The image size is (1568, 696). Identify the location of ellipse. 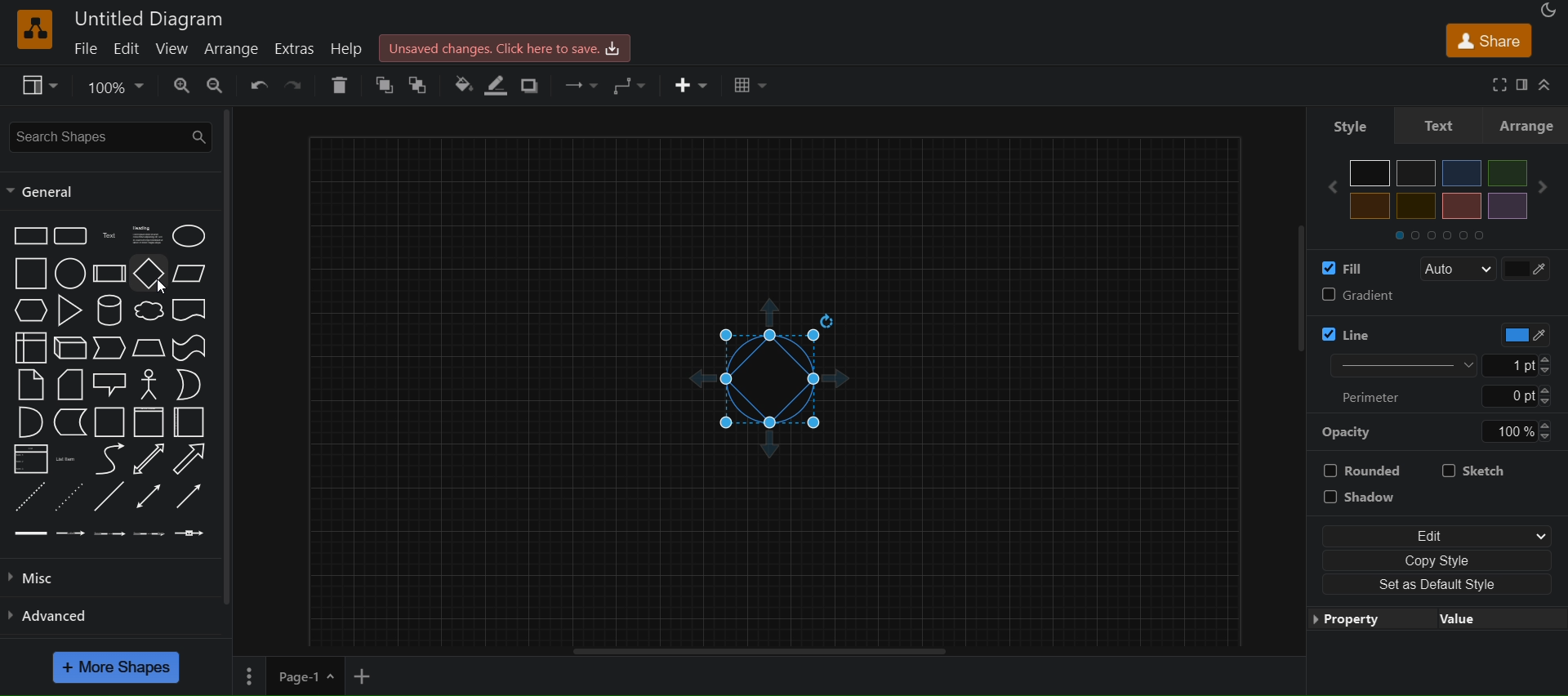
(192, 235).